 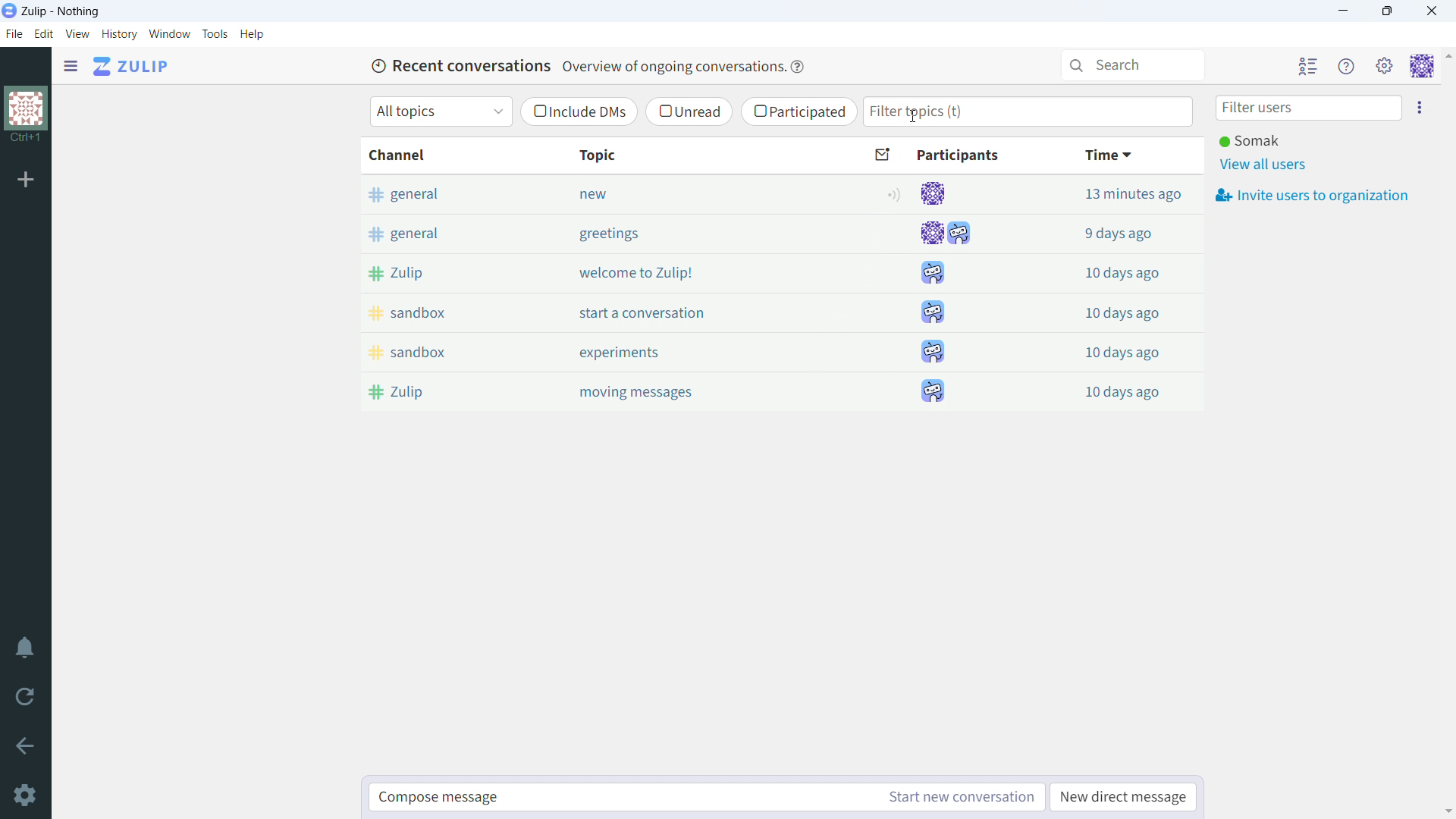 What do you see at coordinates (939, 155) in the screenshot?
I see `participants` at bounding box center [939, 155].